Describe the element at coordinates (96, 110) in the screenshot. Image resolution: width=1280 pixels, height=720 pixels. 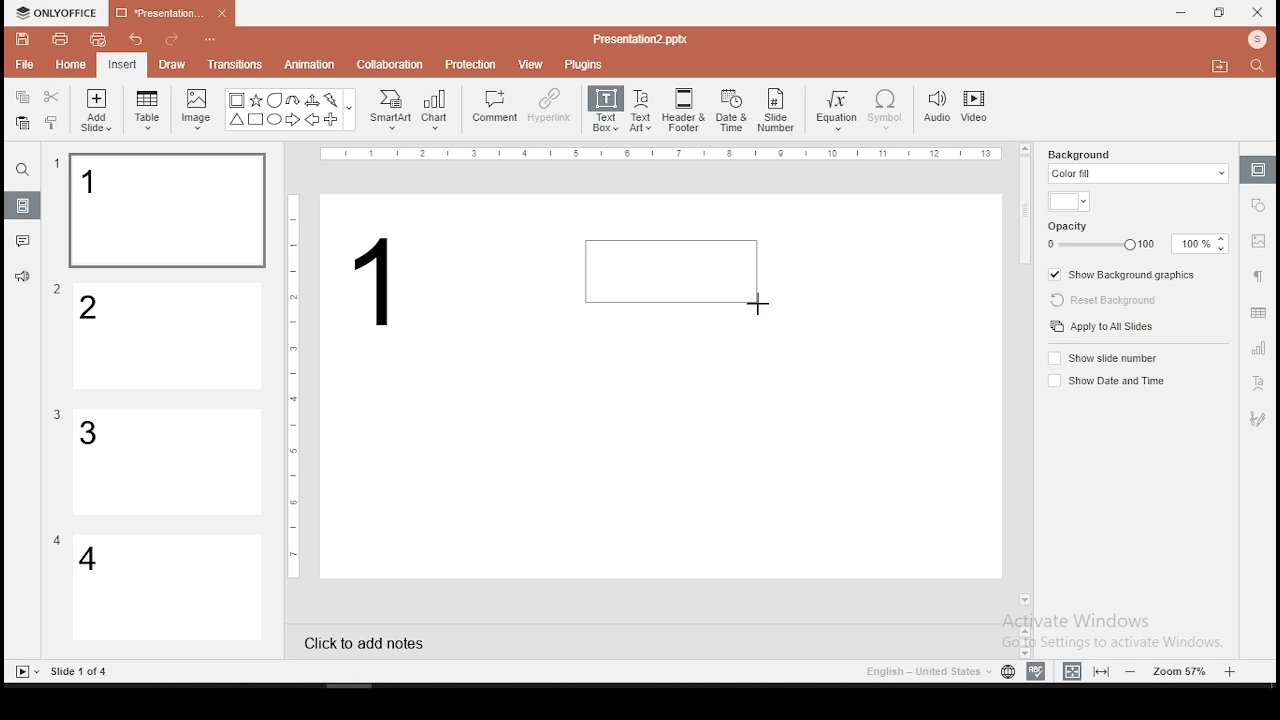
I see `add slide` at that location.